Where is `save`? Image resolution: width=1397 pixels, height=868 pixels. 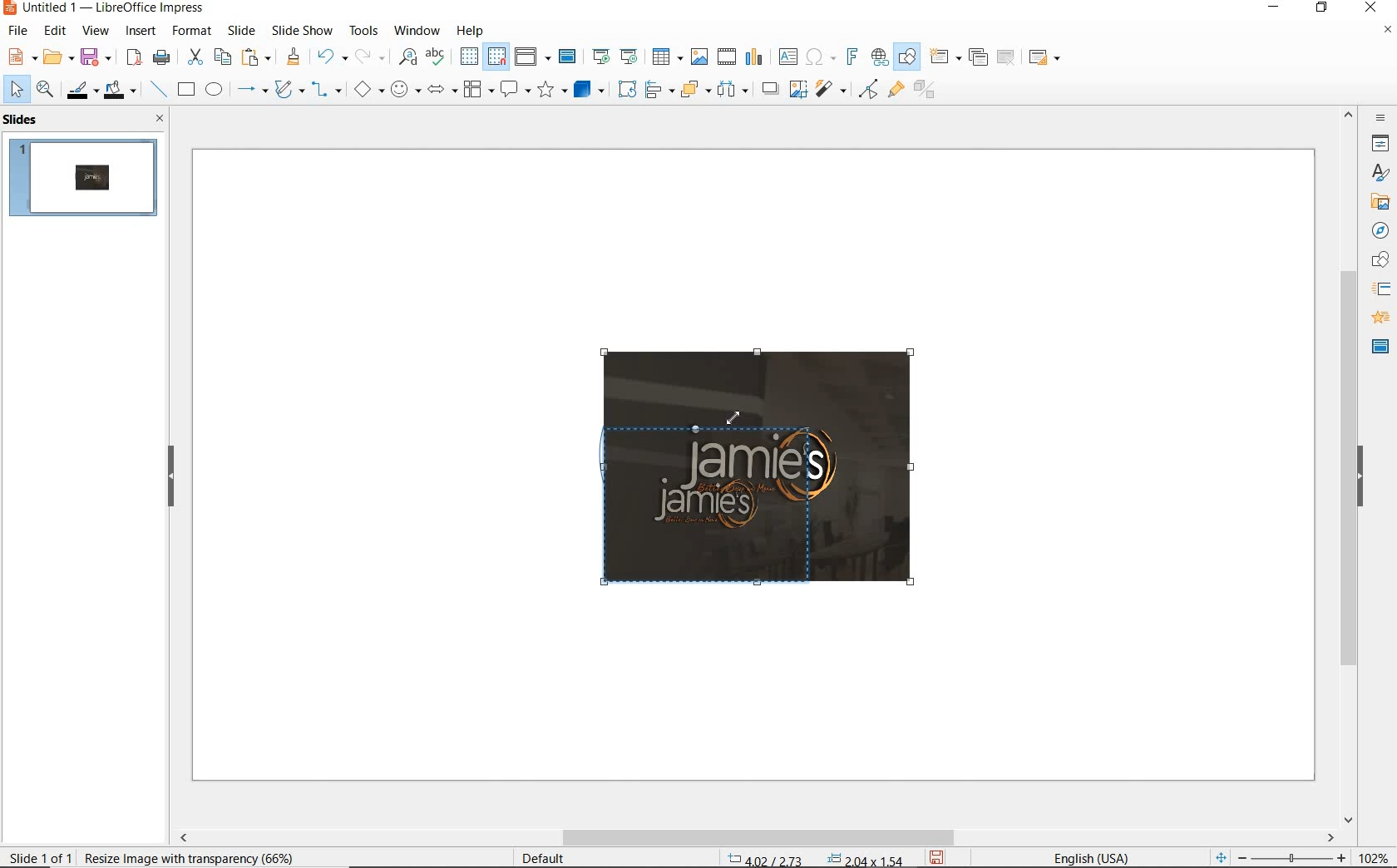
save is located at coordinates (938, 856).